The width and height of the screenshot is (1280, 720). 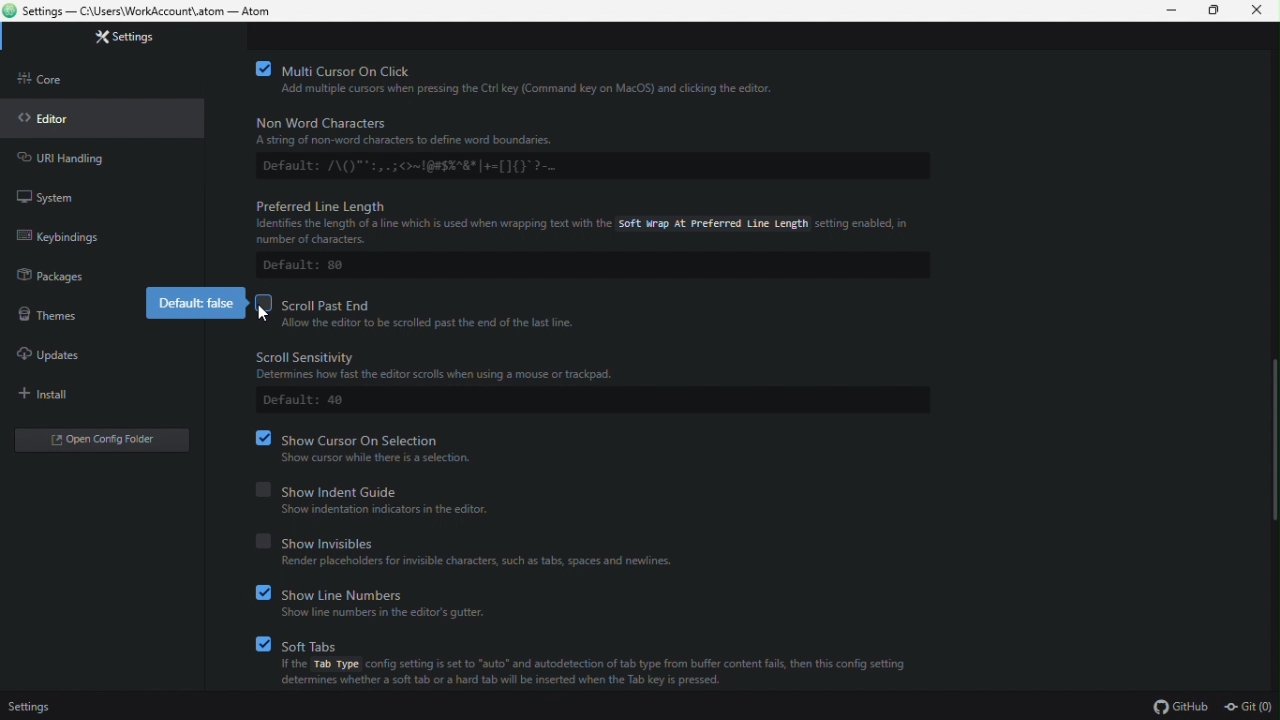 I want to click on Default: /\()"":,.;O~I@¥S% 8" |+=[]{} ?--, so click(x=437, y=165).